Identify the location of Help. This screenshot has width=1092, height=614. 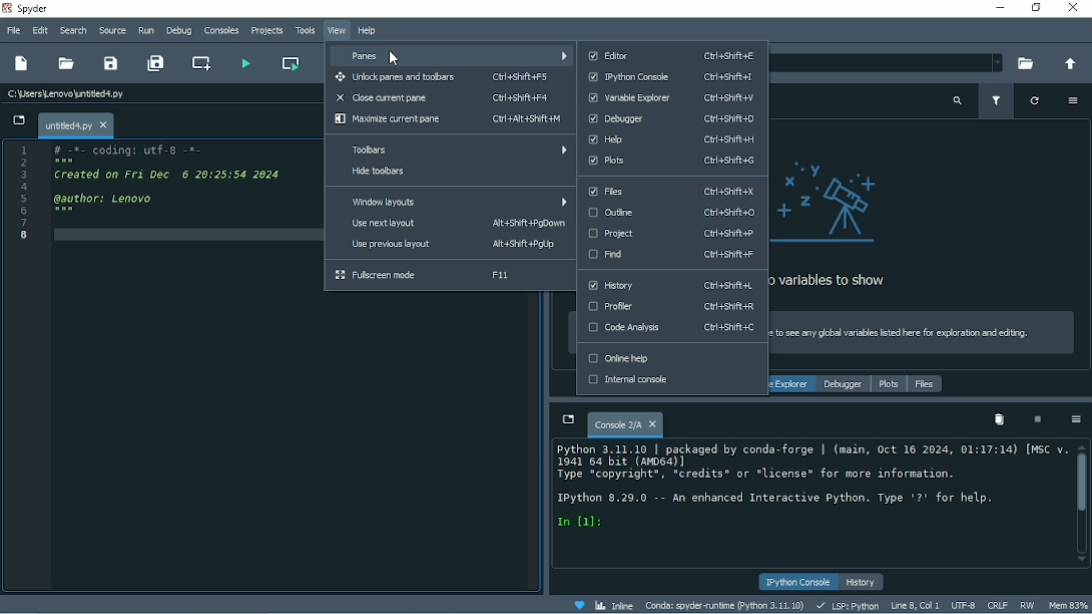
(368, 31).